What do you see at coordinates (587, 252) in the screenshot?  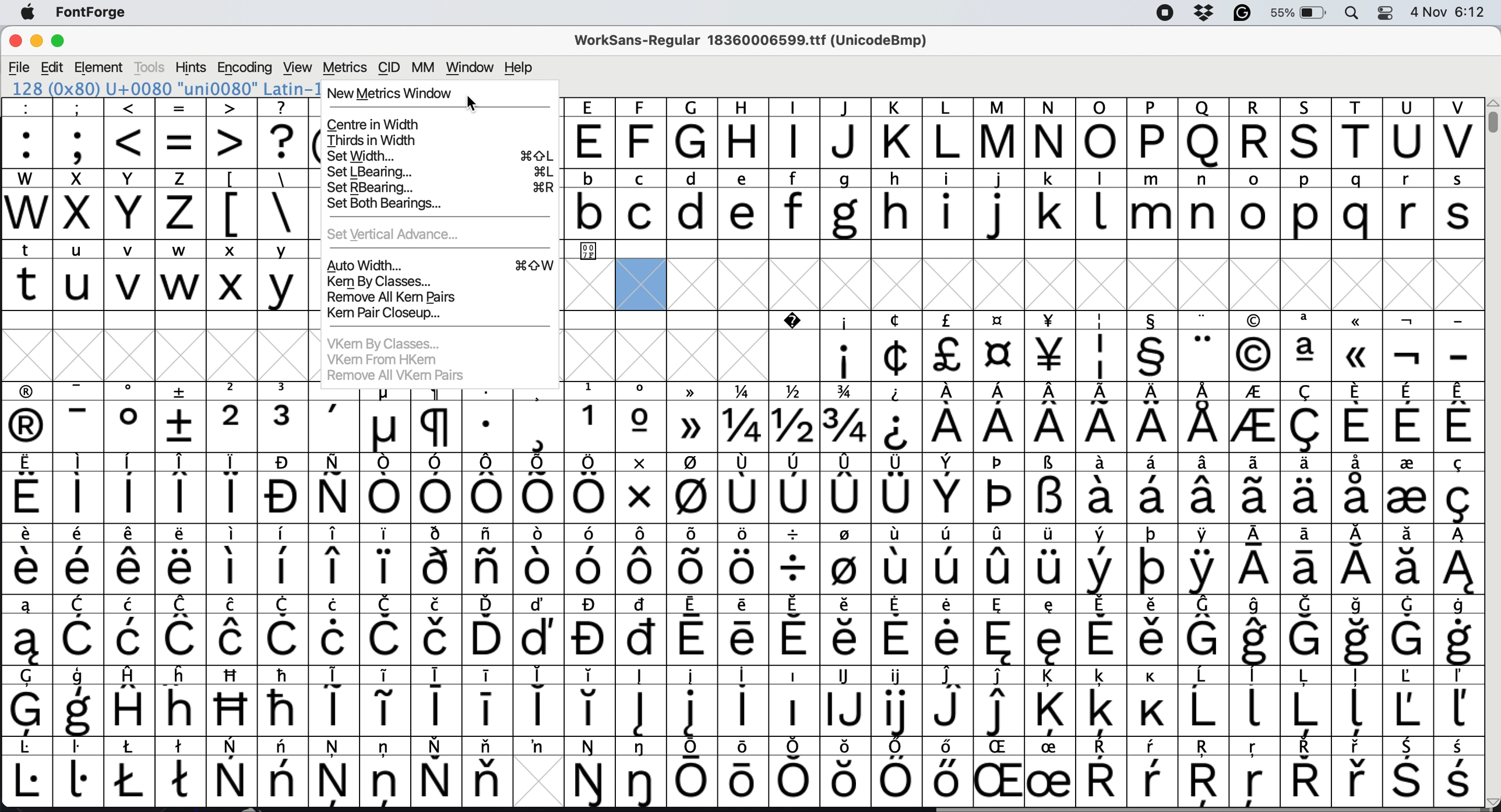 I see `special character` at bounding box center [587, 252].